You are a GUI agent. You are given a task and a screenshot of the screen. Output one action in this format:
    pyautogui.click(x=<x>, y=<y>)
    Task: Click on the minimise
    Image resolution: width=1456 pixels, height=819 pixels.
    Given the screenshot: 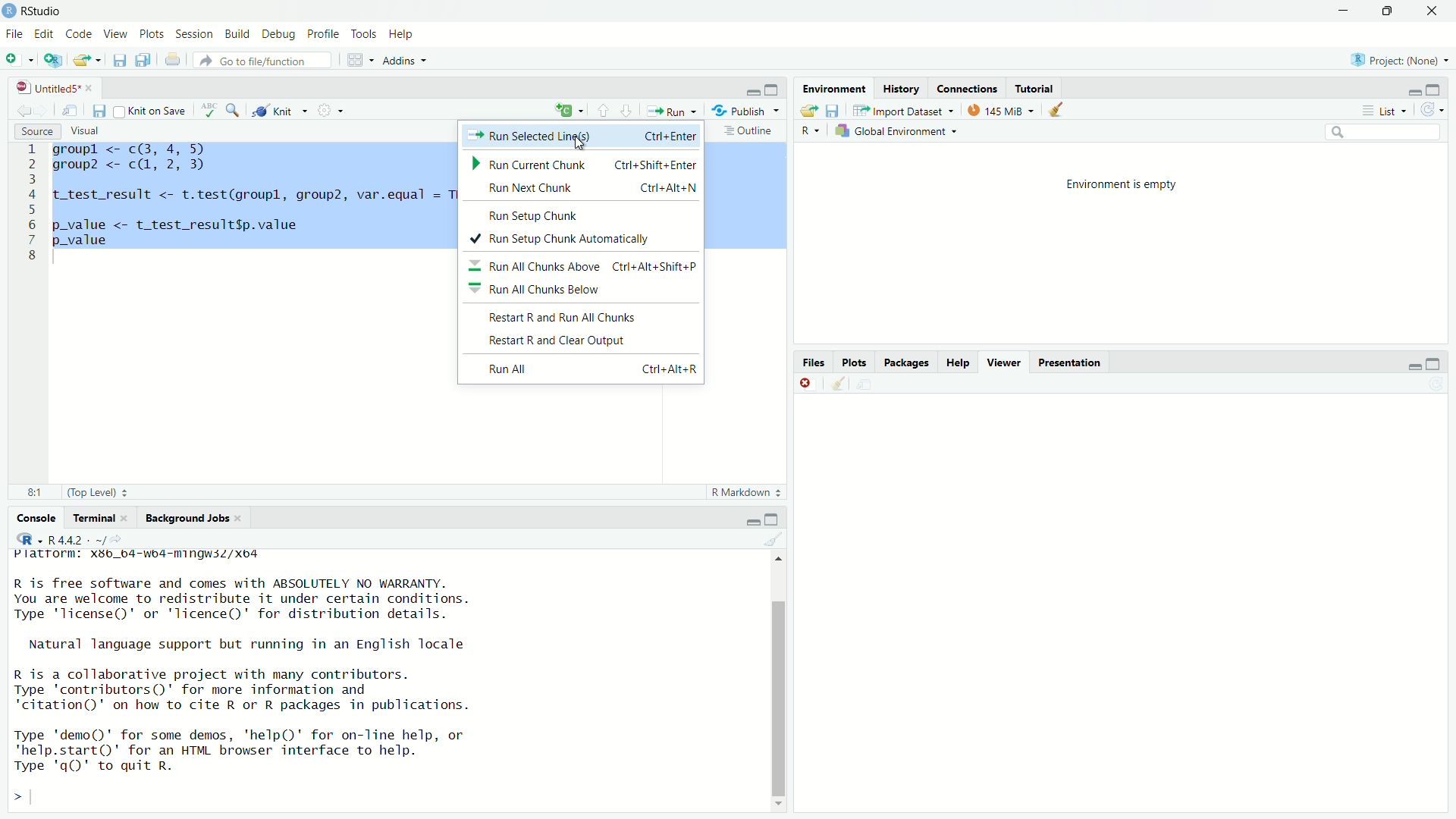 What is the action you would take?
    pyautogui.click(x=1413, y=88)
    